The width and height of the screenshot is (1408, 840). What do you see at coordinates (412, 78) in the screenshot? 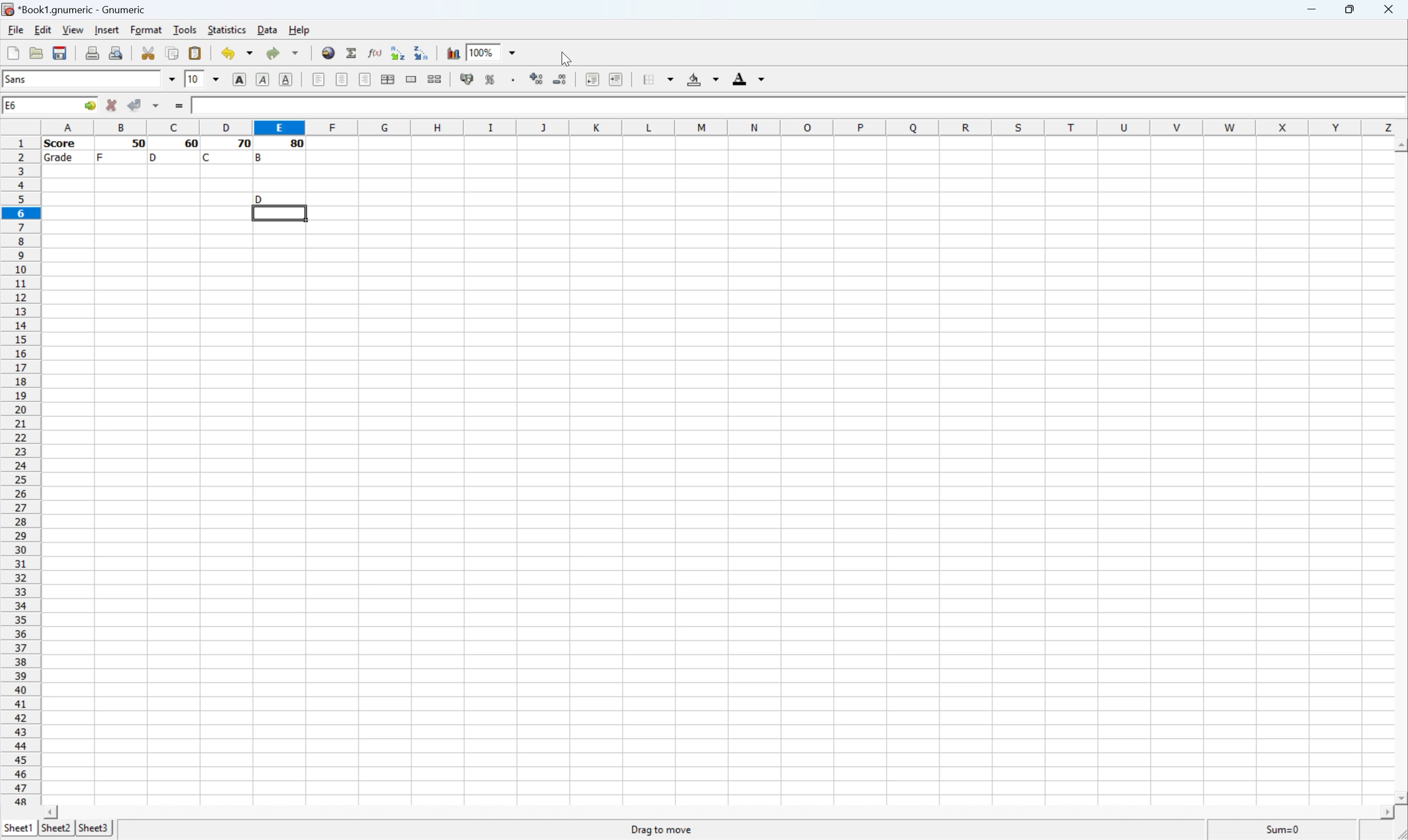
I see `Merge a range of cells` at bounding box center [412, 78].